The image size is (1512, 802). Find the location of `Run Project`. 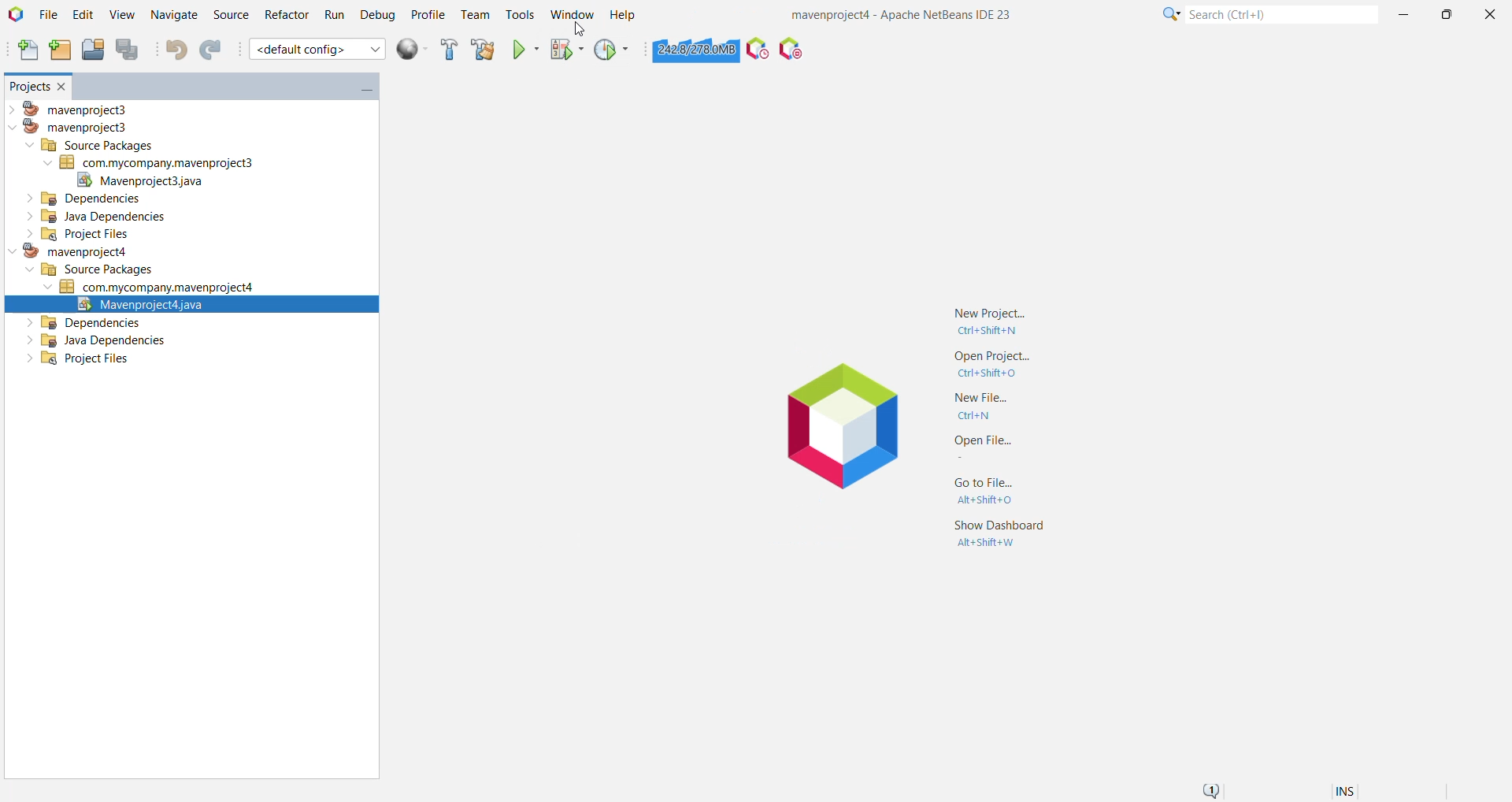

Run Project is located at coordinates (526, 50).